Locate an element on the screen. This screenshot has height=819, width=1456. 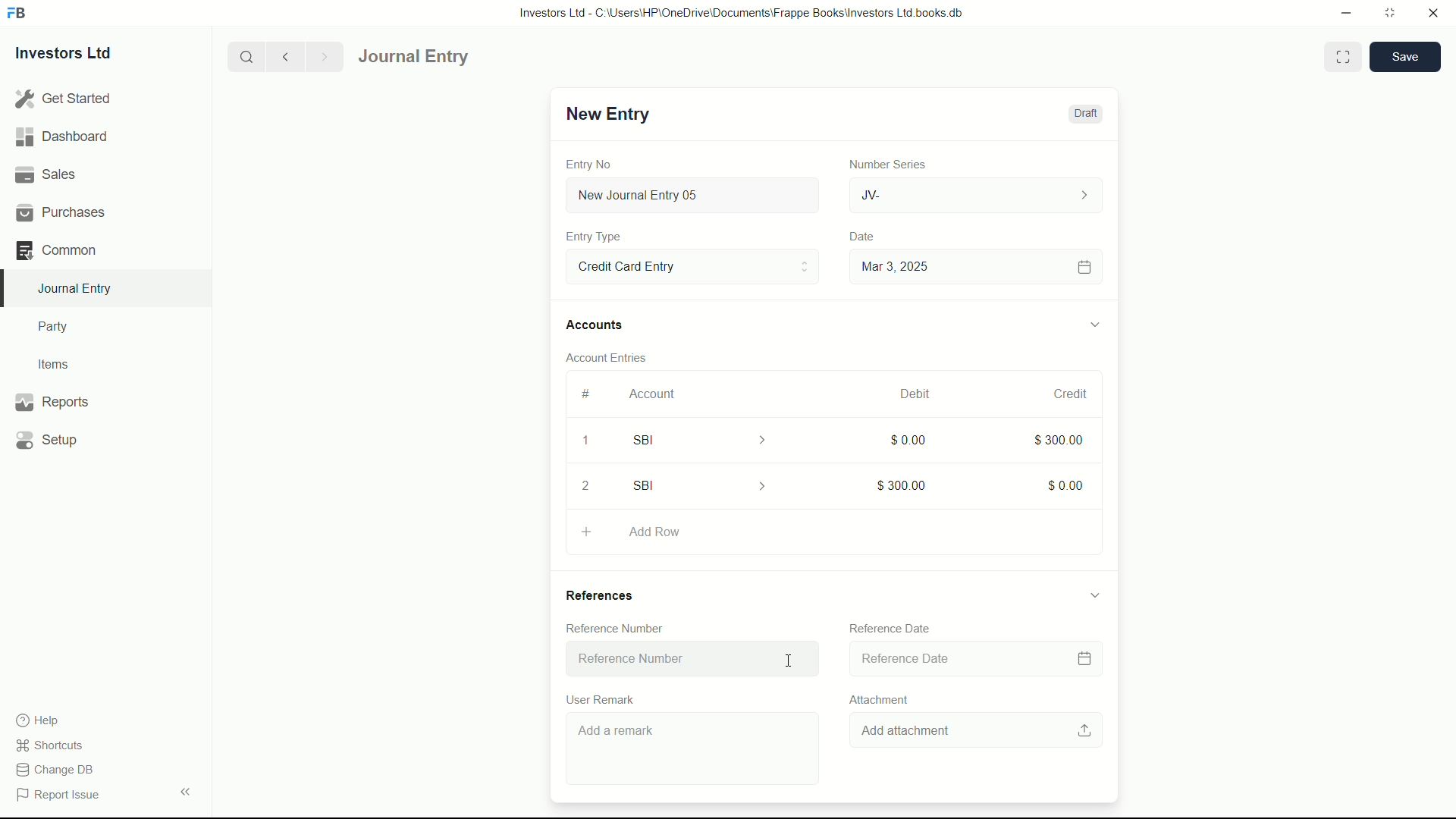
Entry Type is located at coordinates (594, 237).